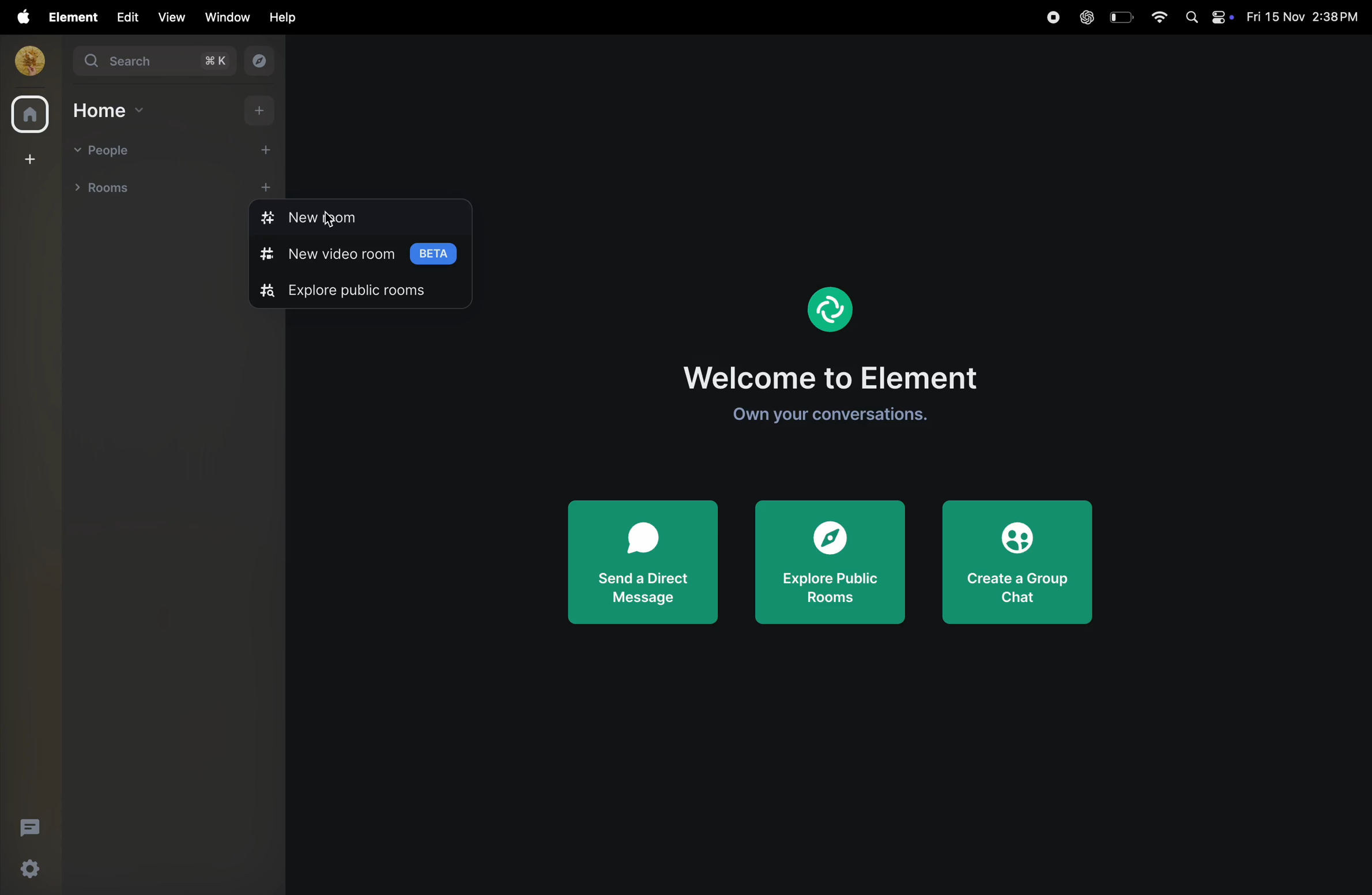  Describe the element at coordinates (107, 152) in the screenshot. I see `people` at that location.